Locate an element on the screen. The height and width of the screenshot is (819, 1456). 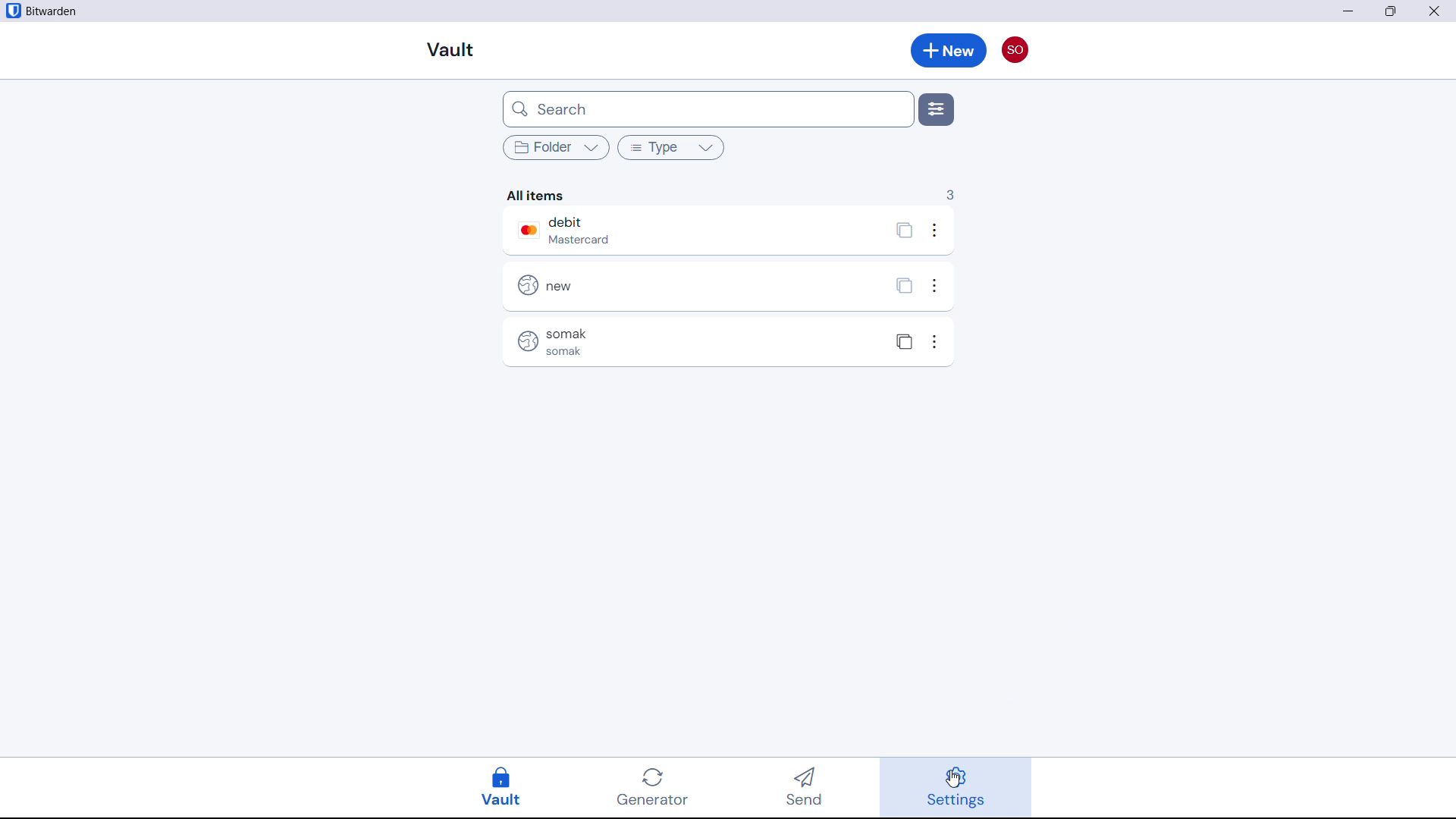
logo is located at coordinates (12, 11).